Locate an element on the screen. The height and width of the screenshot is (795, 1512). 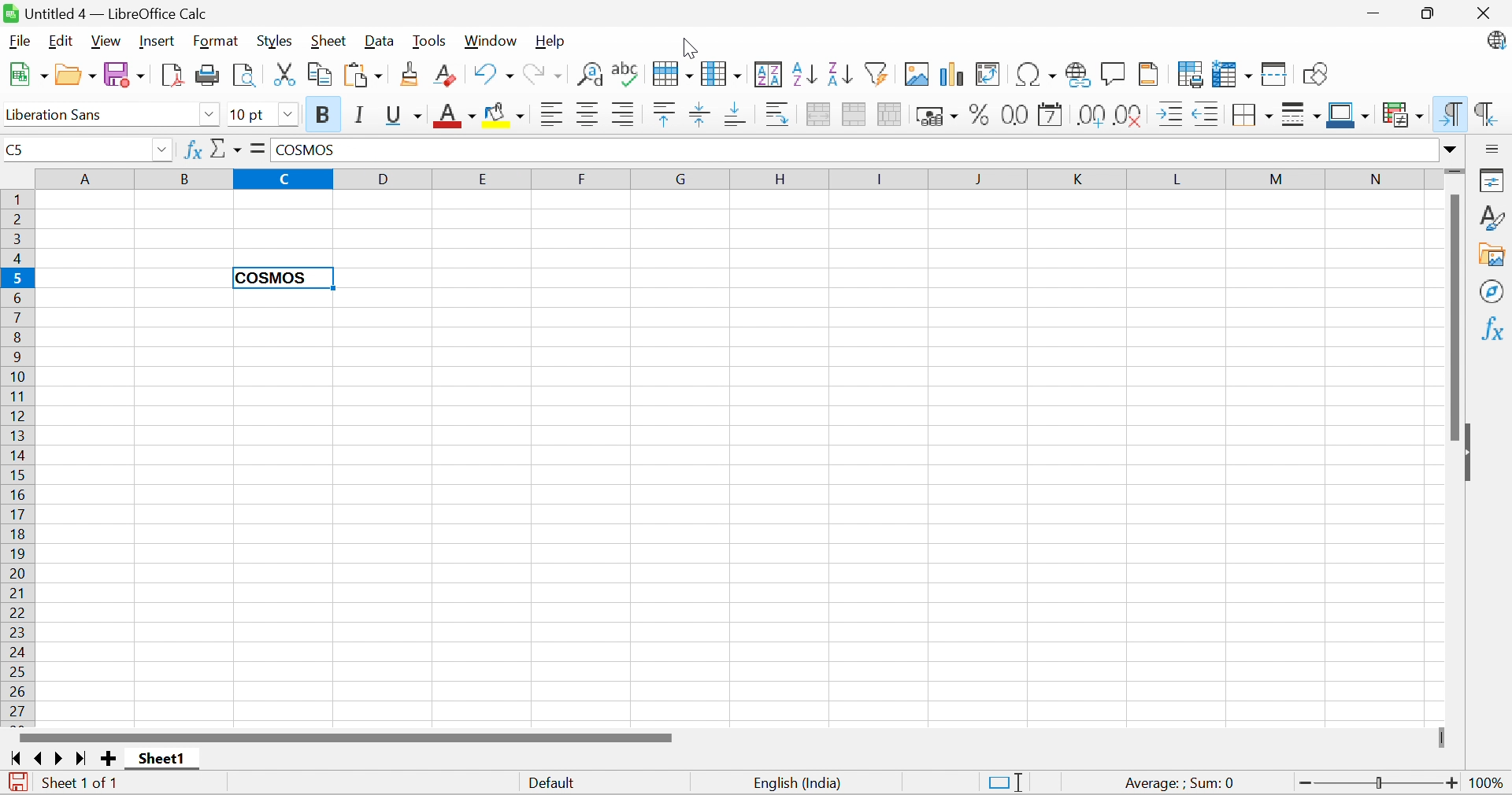
Liberation Sans is located at coordinates (65, 115).